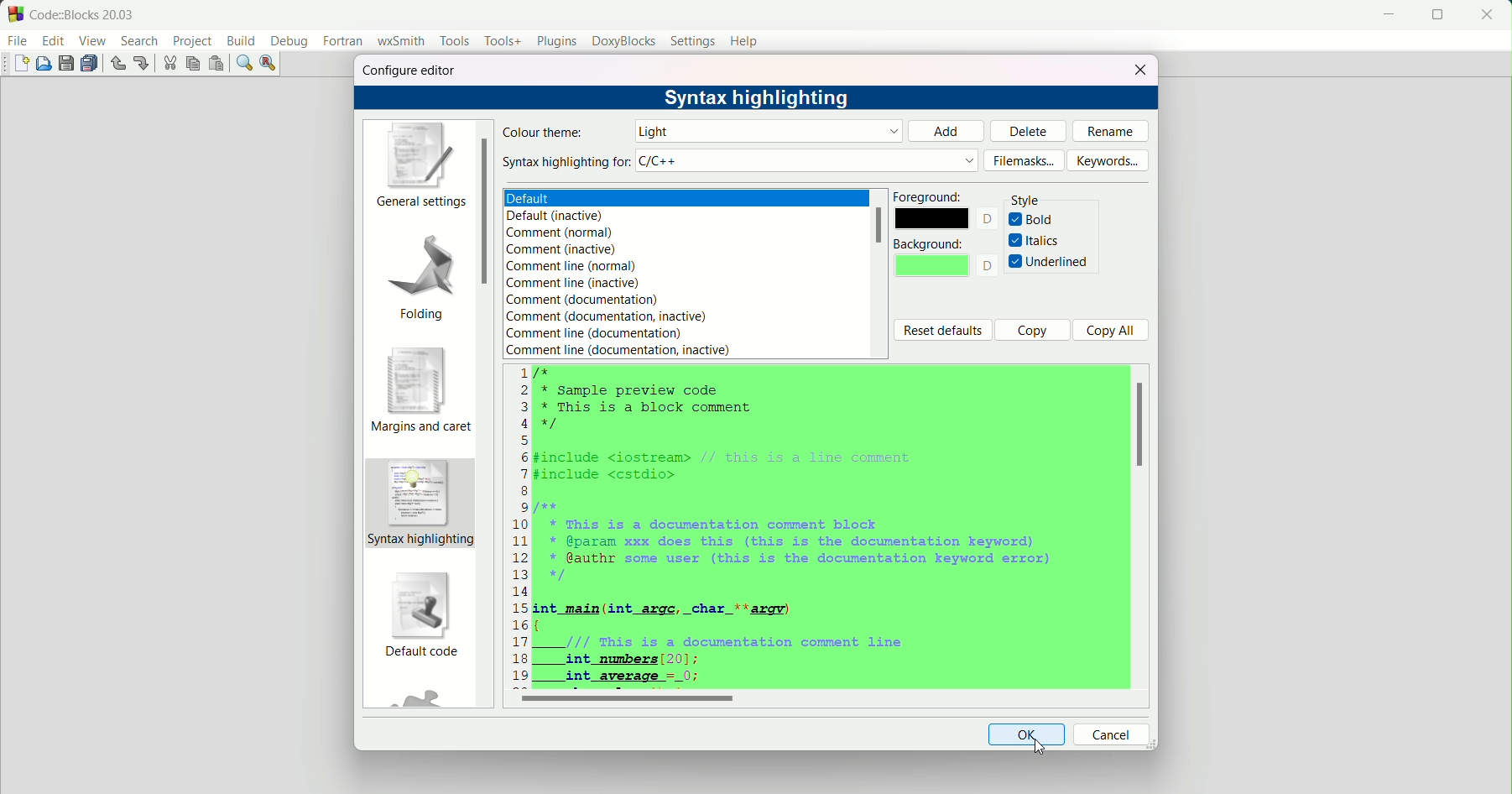 This screenshot has width=1512, height=794. What do you see at coordinates (18, 42) in the screenshot?
I see `file` at bounding box center [18, 42].